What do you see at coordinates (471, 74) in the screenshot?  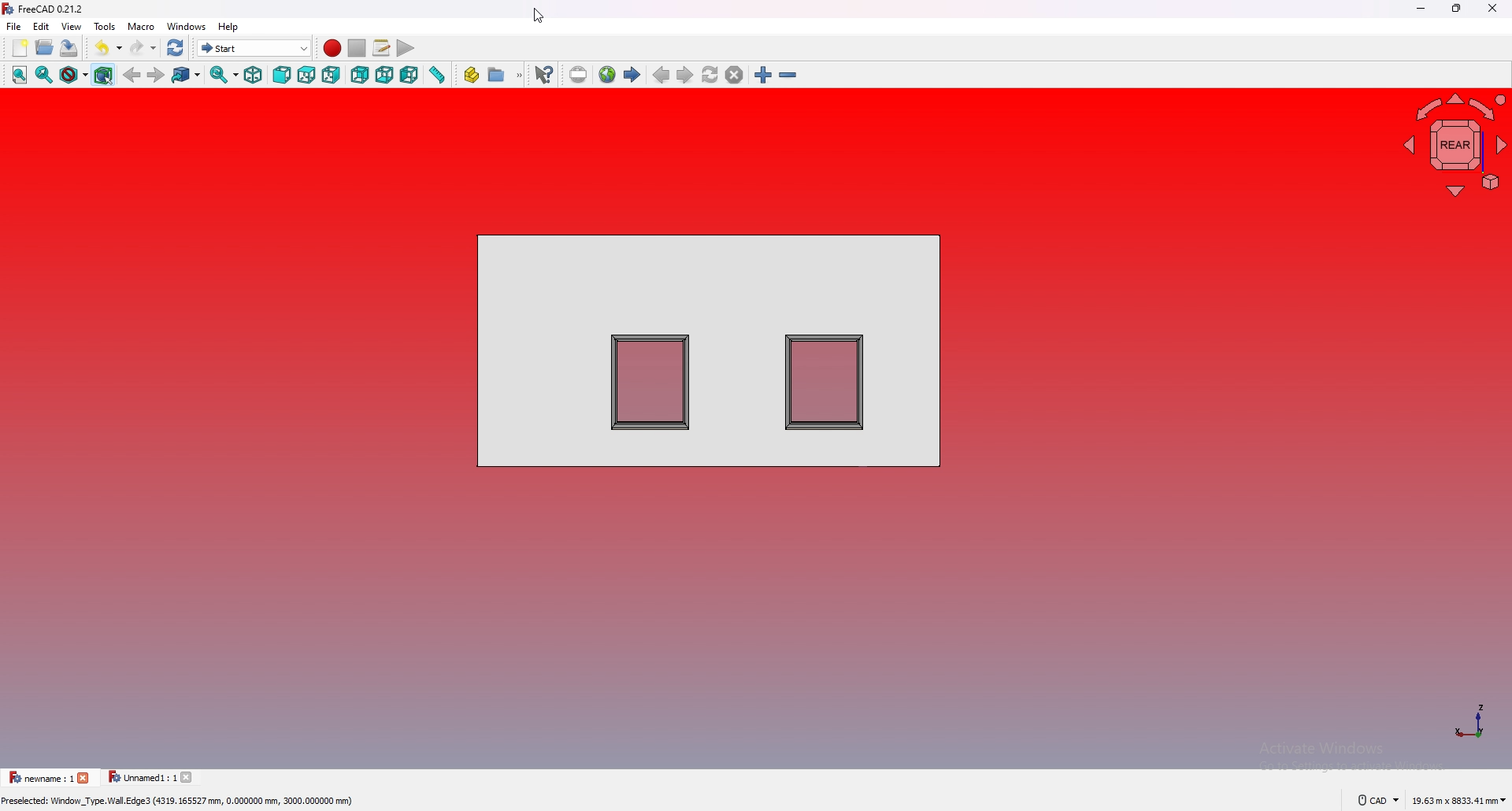 I see `create part` at bounding box center [471, 74].